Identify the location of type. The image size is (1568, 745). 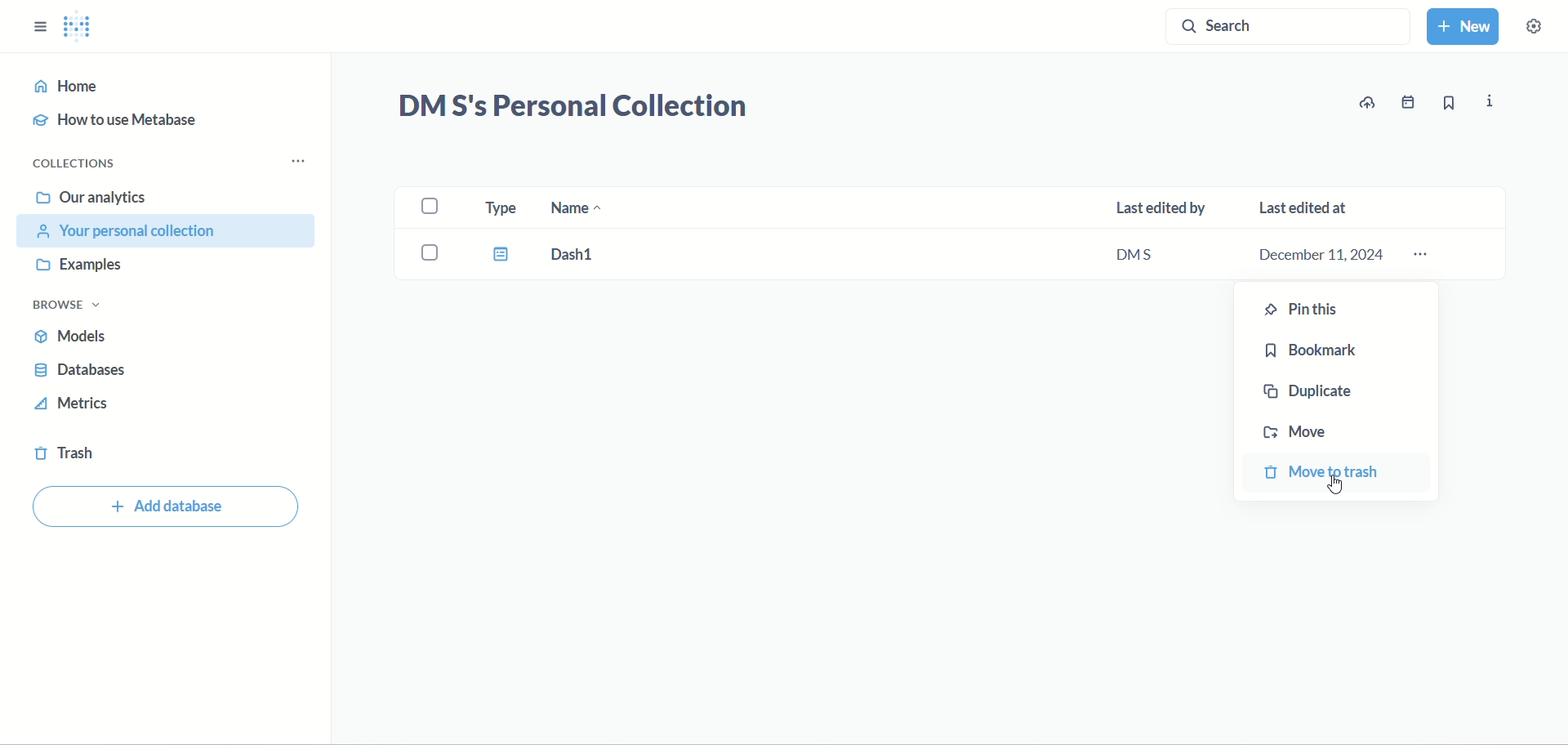
(498, 205).